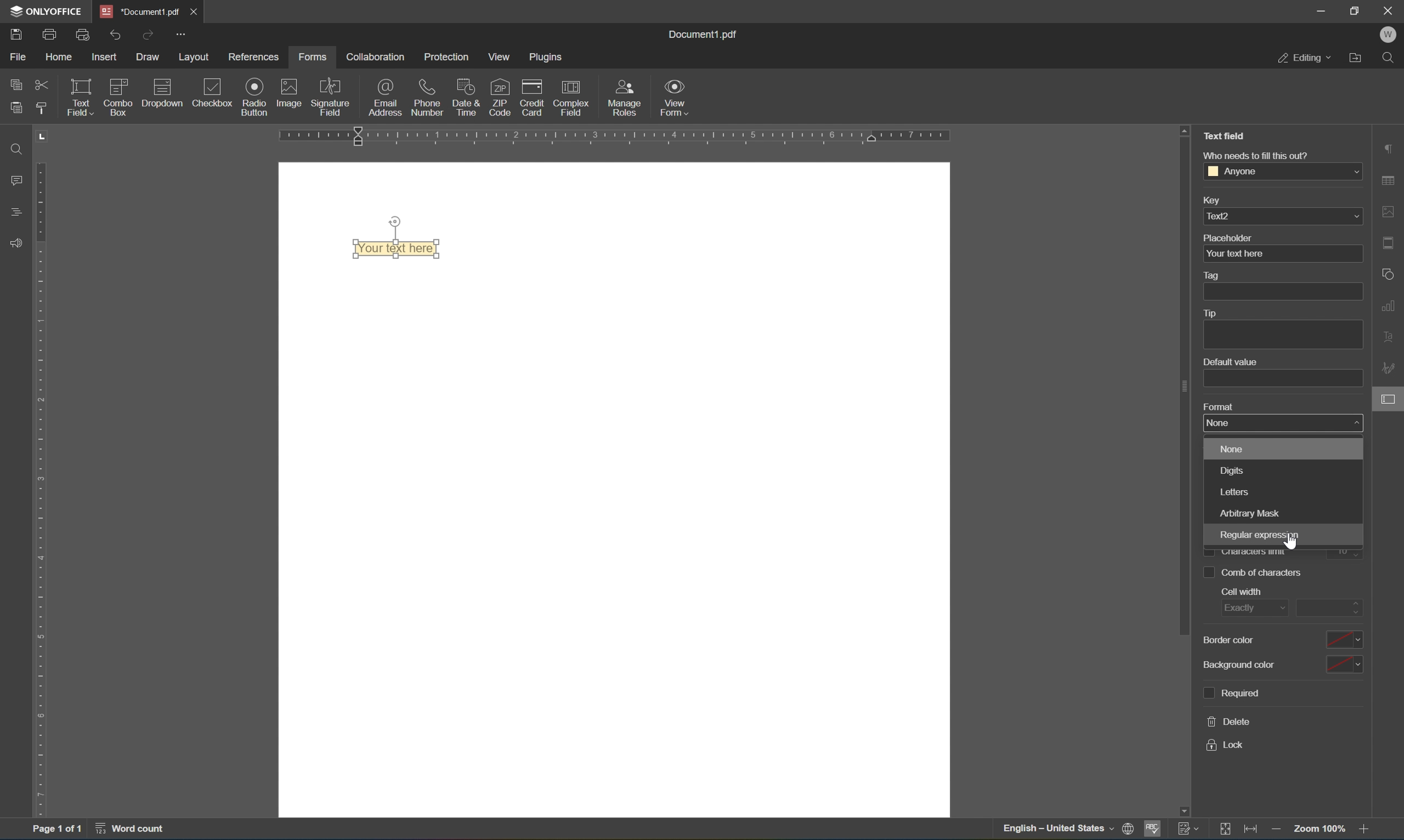 The width and height of the screenshot is (1404, 840). I want to click on zip code, so click(499, 97).